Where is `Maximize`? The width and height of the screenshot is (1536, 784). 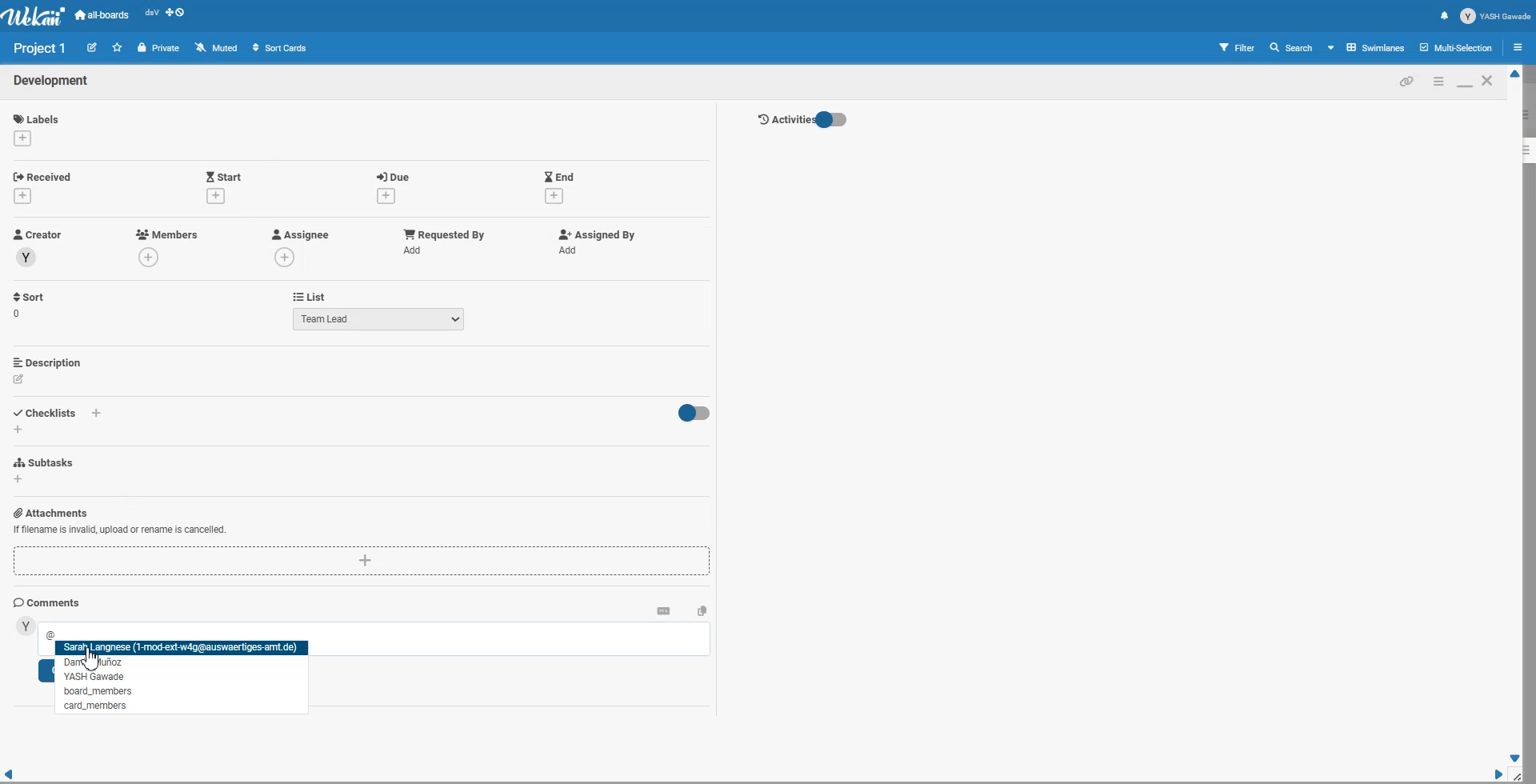
Maximize is located at coordinates (1464, 81).